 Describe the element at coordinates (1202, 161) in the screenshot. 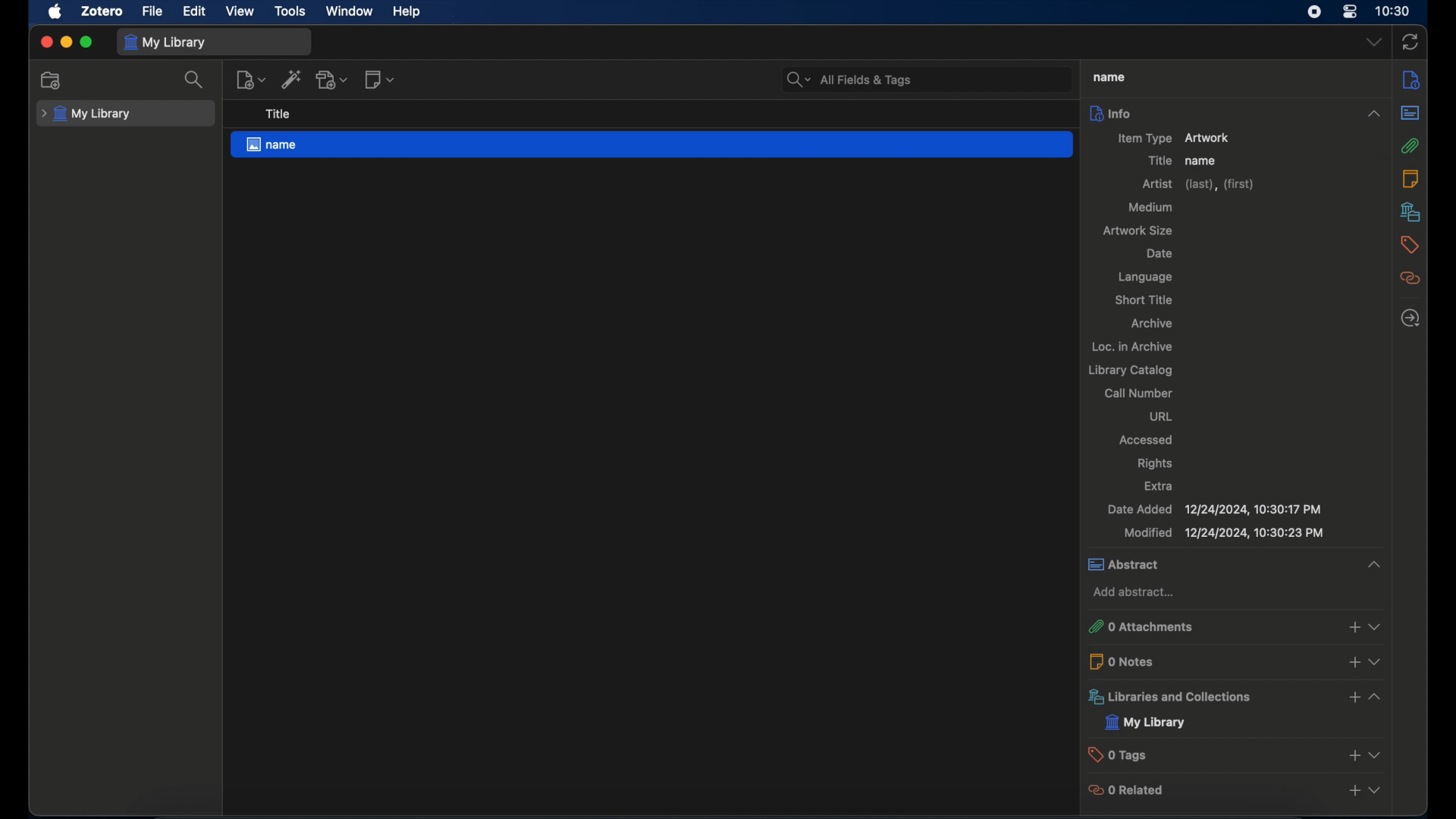

I see `name` at that location.